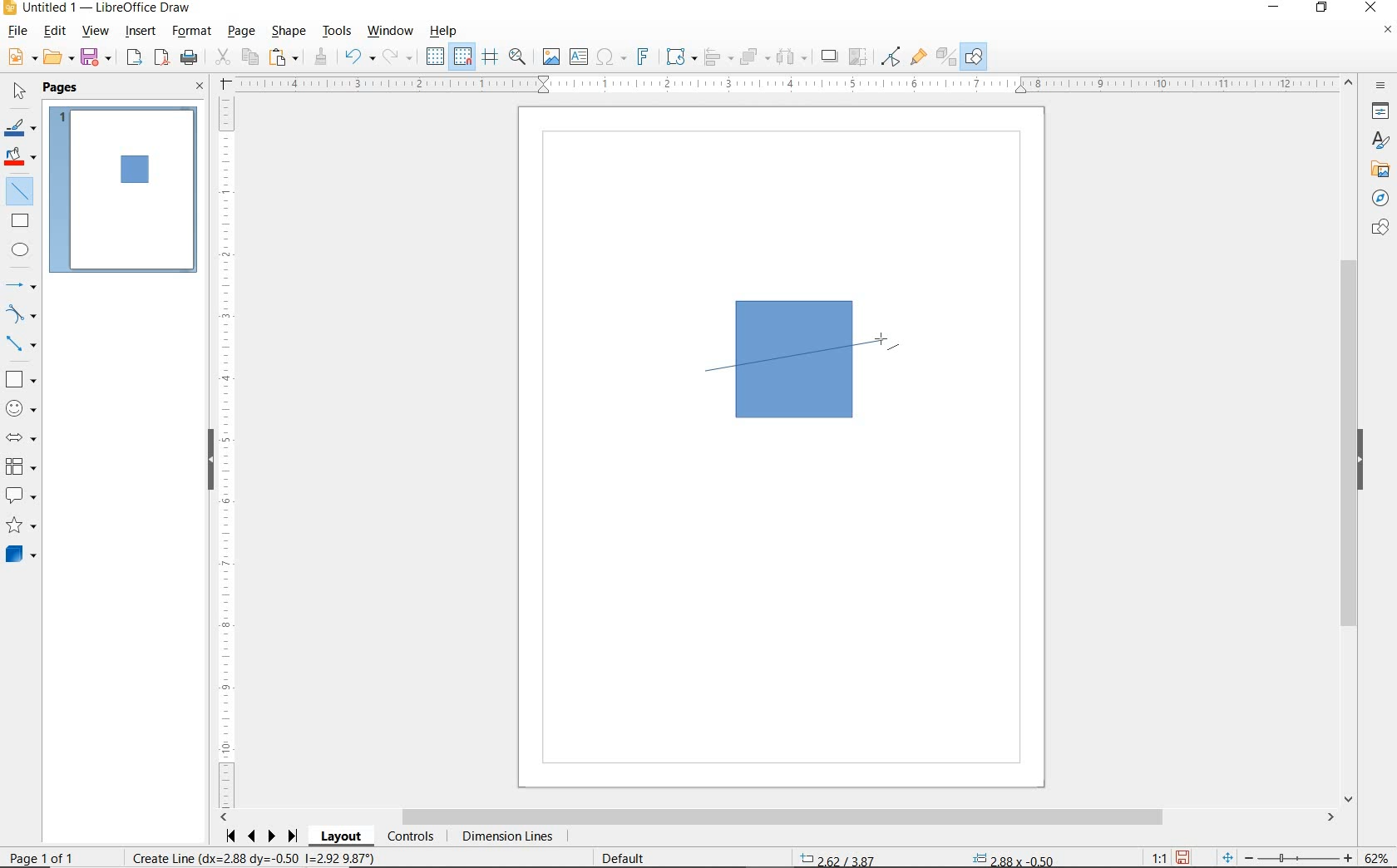 The width and height of the screenshot is (1397, 868). I want to click on Resize shape, so click(256, 857).